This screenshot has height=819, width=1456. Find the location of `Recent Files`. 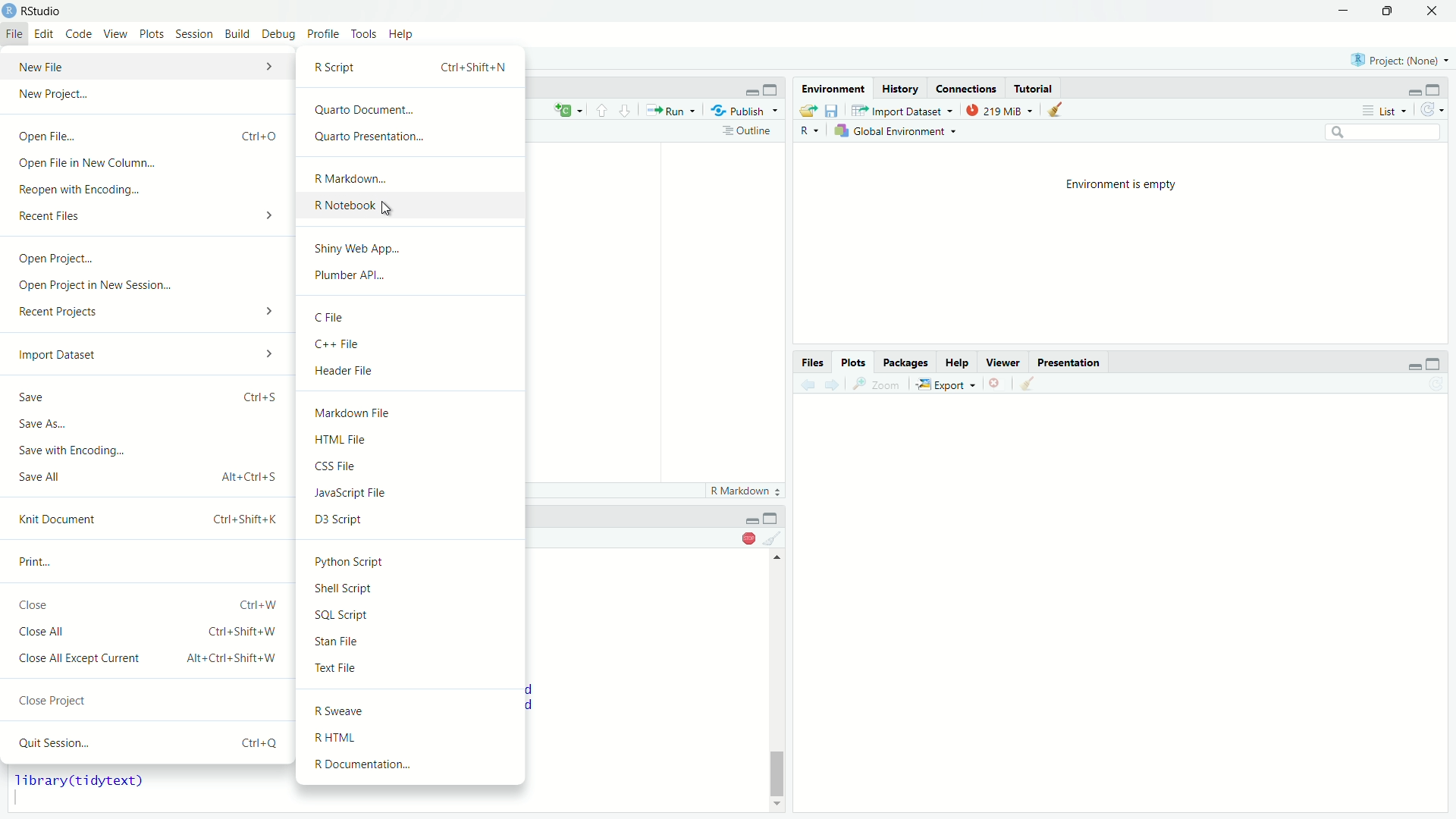

Recent Files is located at coordinates (149, 214).